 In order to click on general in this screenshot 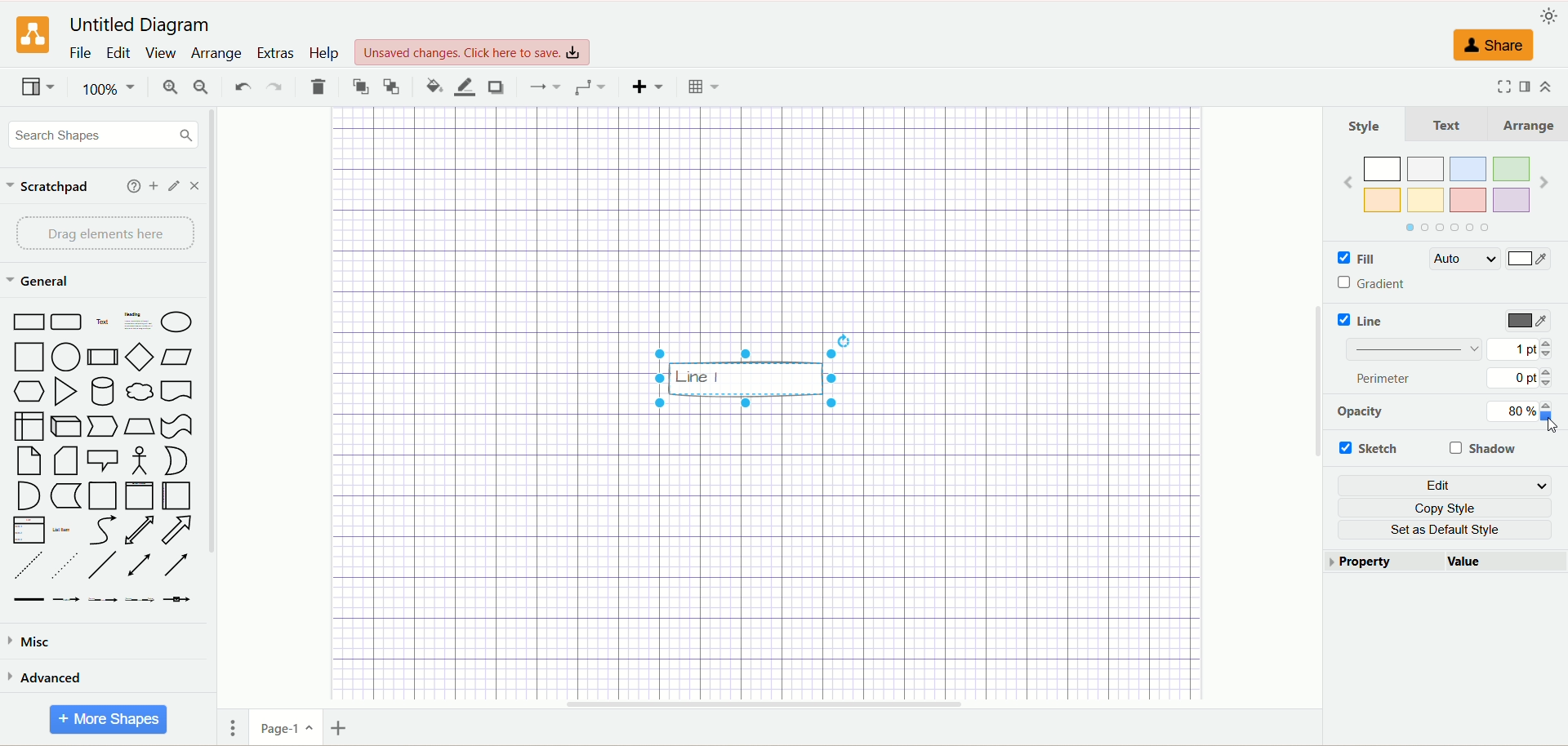, I will do `click(40, 280)`.